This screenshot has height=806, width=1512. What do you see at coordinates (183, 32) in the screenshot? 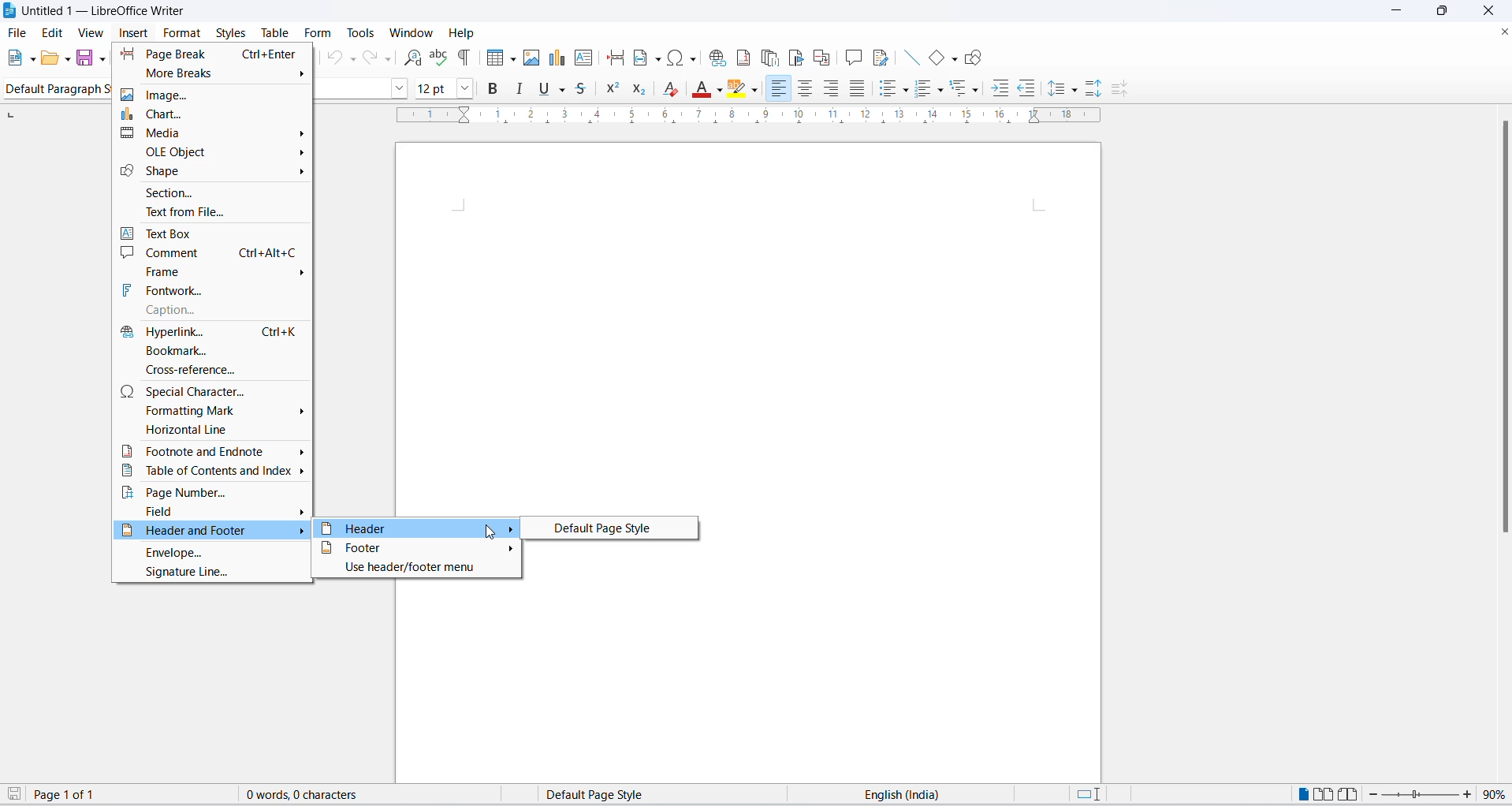
I see `format` at bounding box center [183, 32].